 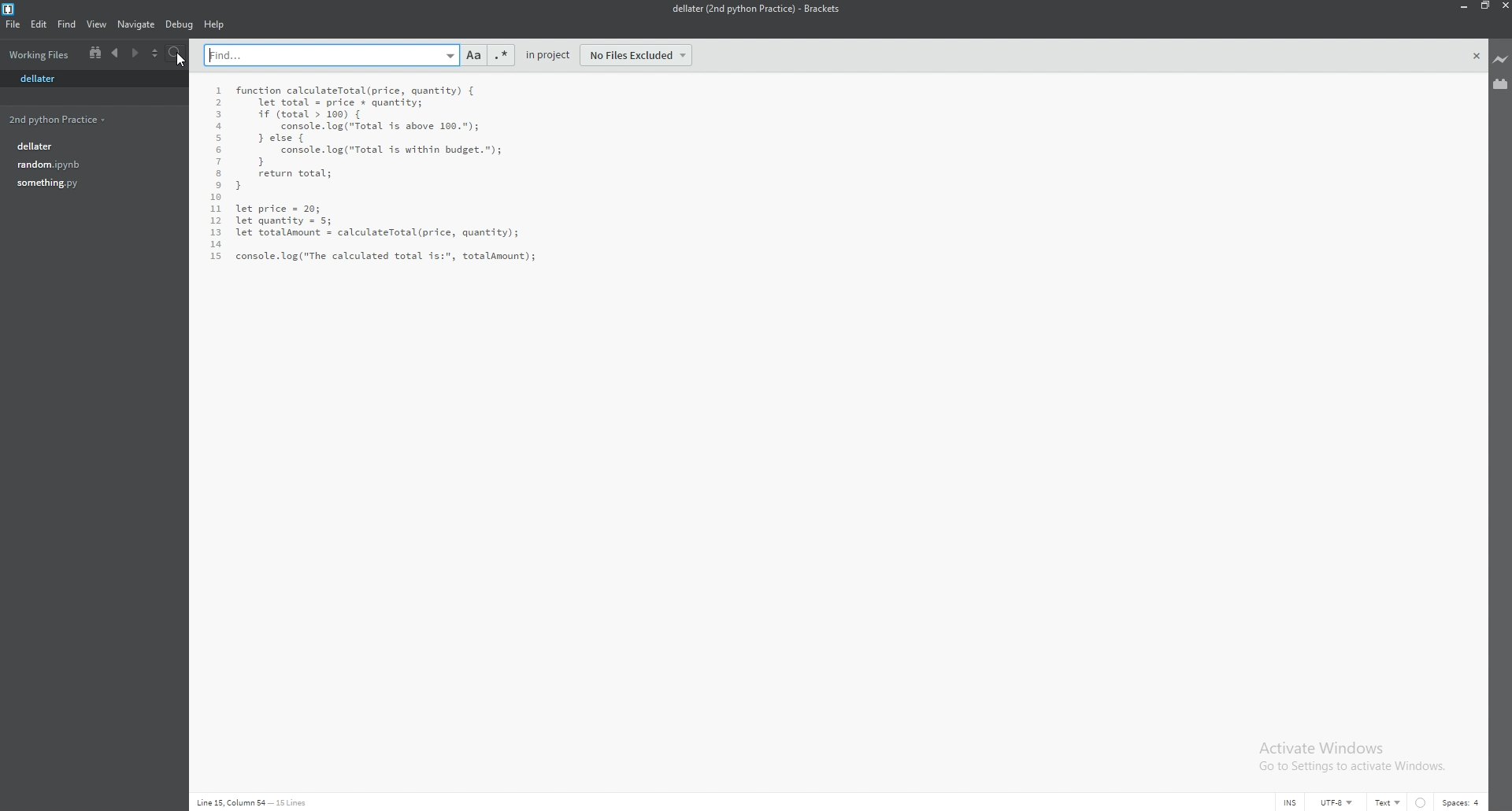 What do you see at coordinates (90, 183) in the screenshot?
I see `something.py` at bounding box center [90, 183].